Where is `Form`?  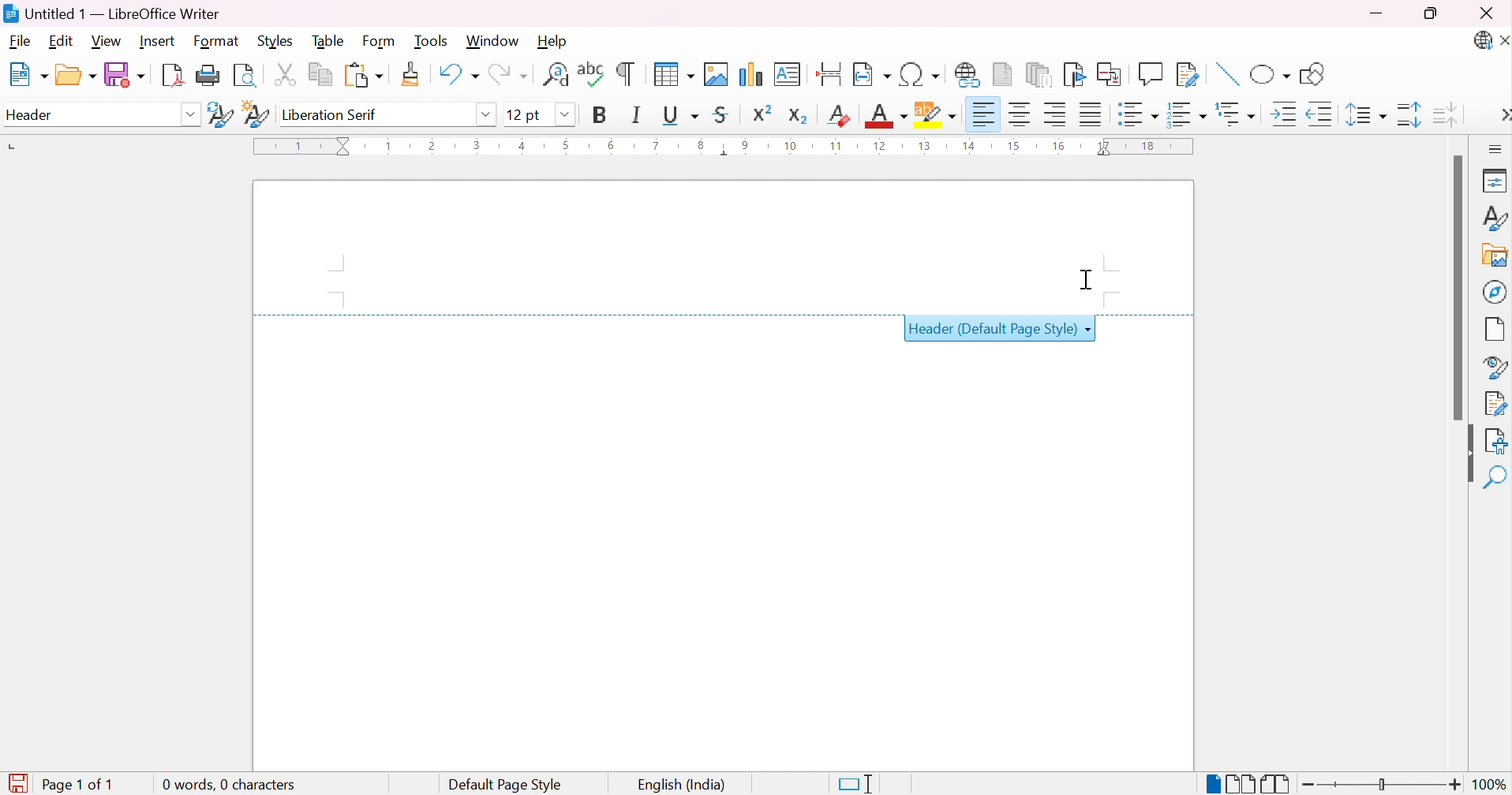
Form is located at coordinates (381, 42).